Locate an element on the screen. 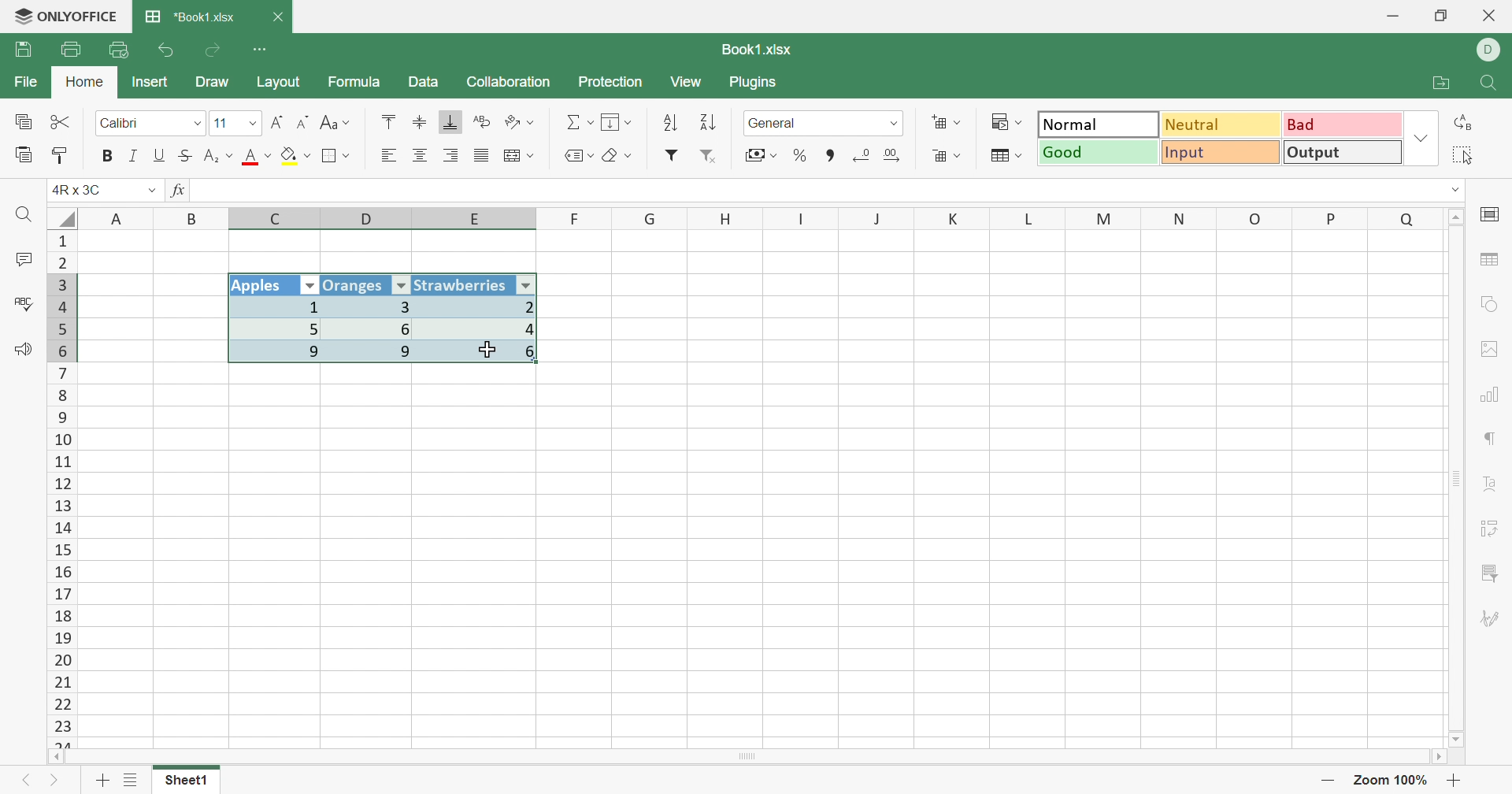 The width and height of the screenshot is (1512, 794). L is located at coordinates (1033, 217).